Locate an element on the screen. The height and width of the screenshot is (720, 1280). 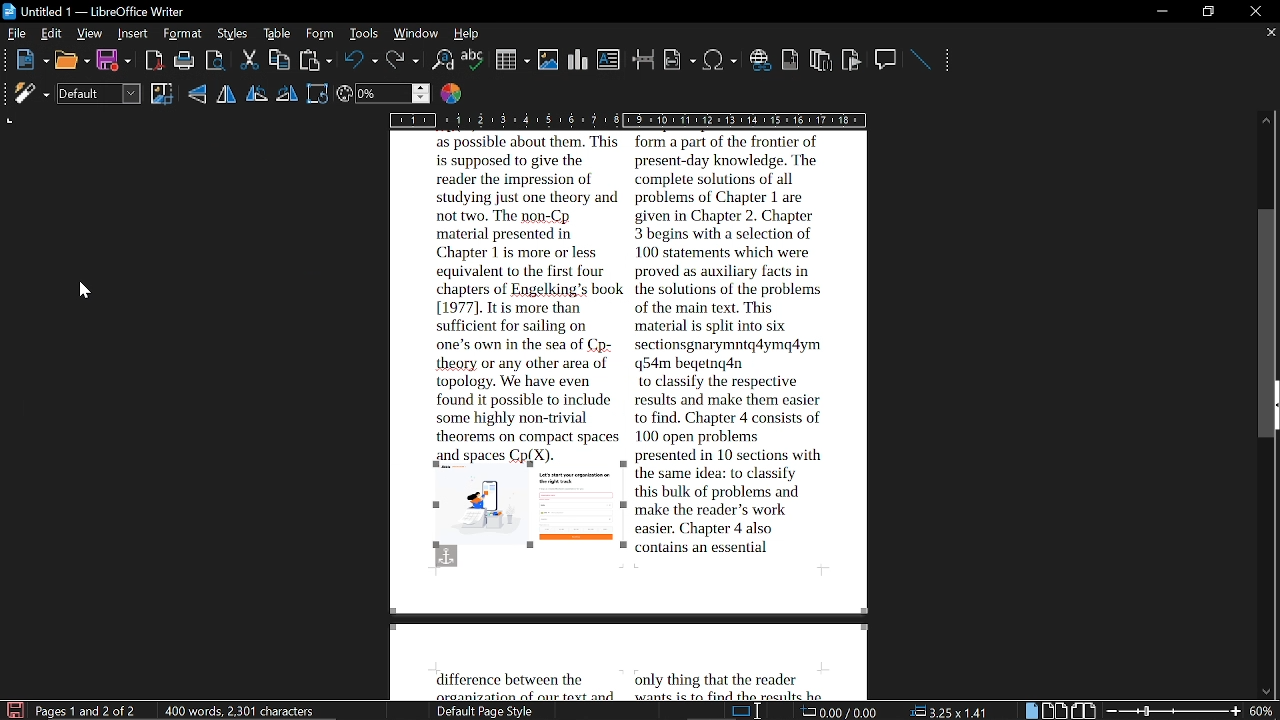
scale is located at coordinates (630, 120).